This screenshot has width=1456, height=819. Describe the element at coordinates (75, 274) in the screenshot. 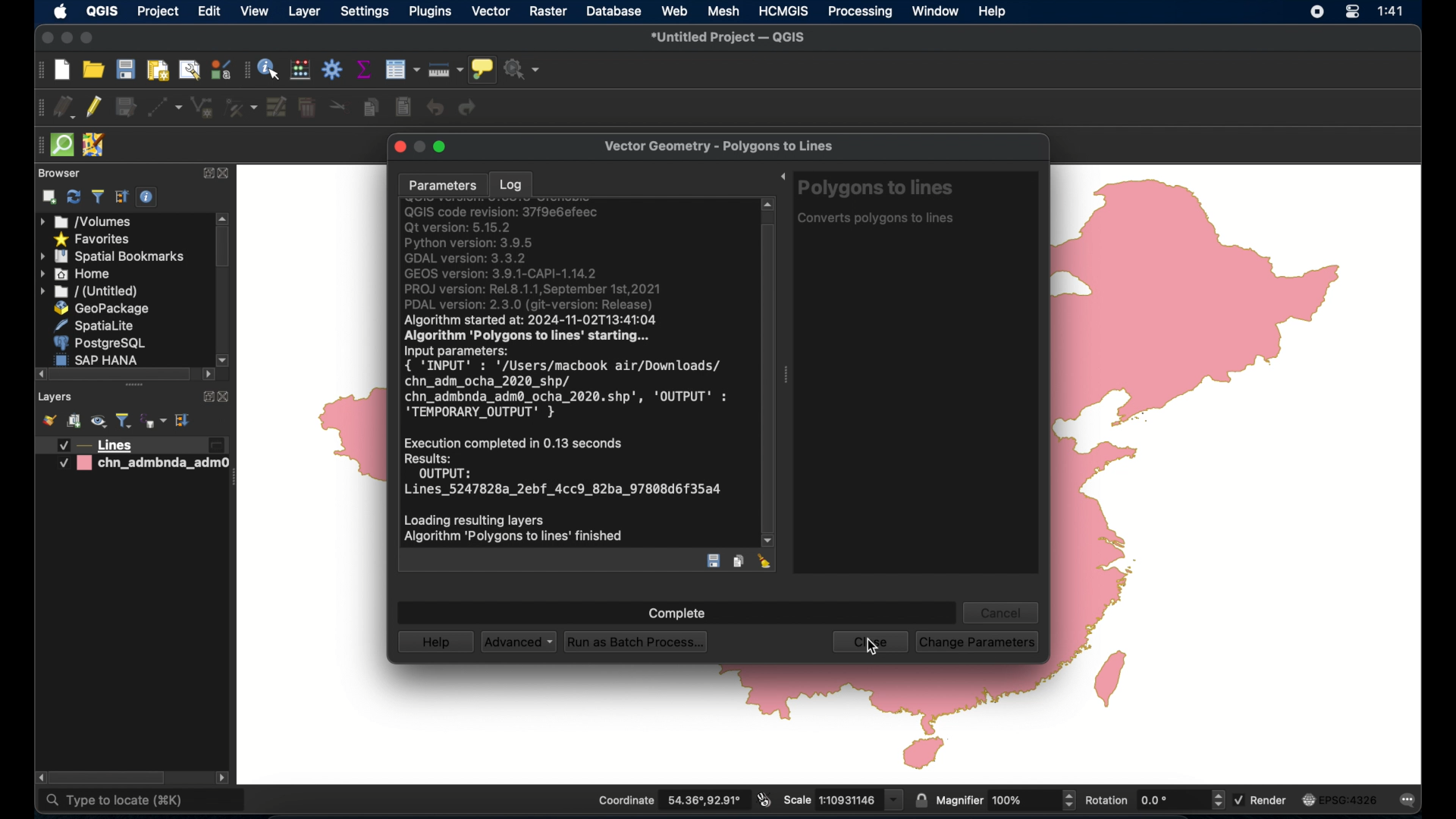

I see `home` at that location.